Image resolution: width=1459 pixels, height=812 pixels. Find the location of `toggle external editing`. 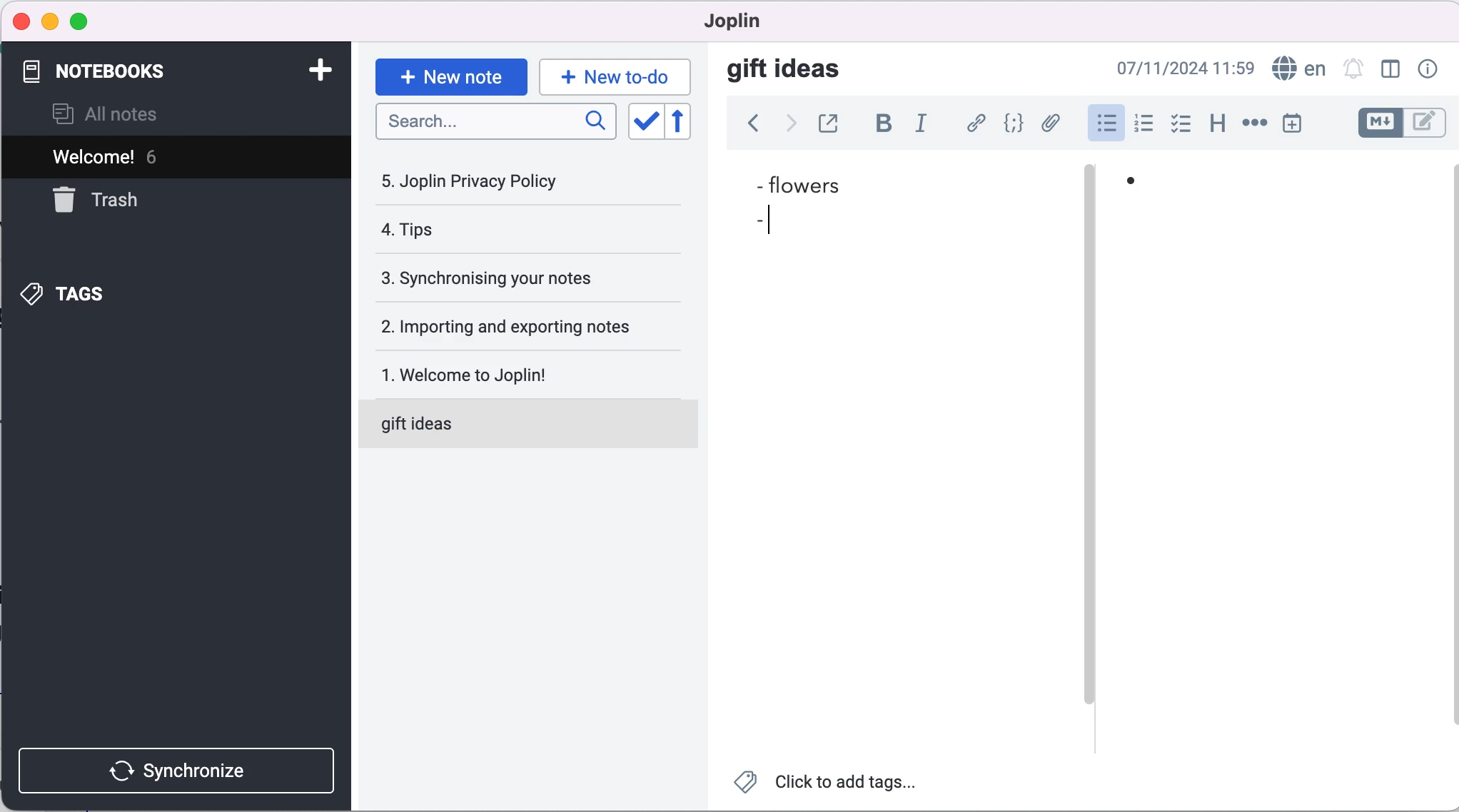

toggle external editing is located at coordinates (831, 123).